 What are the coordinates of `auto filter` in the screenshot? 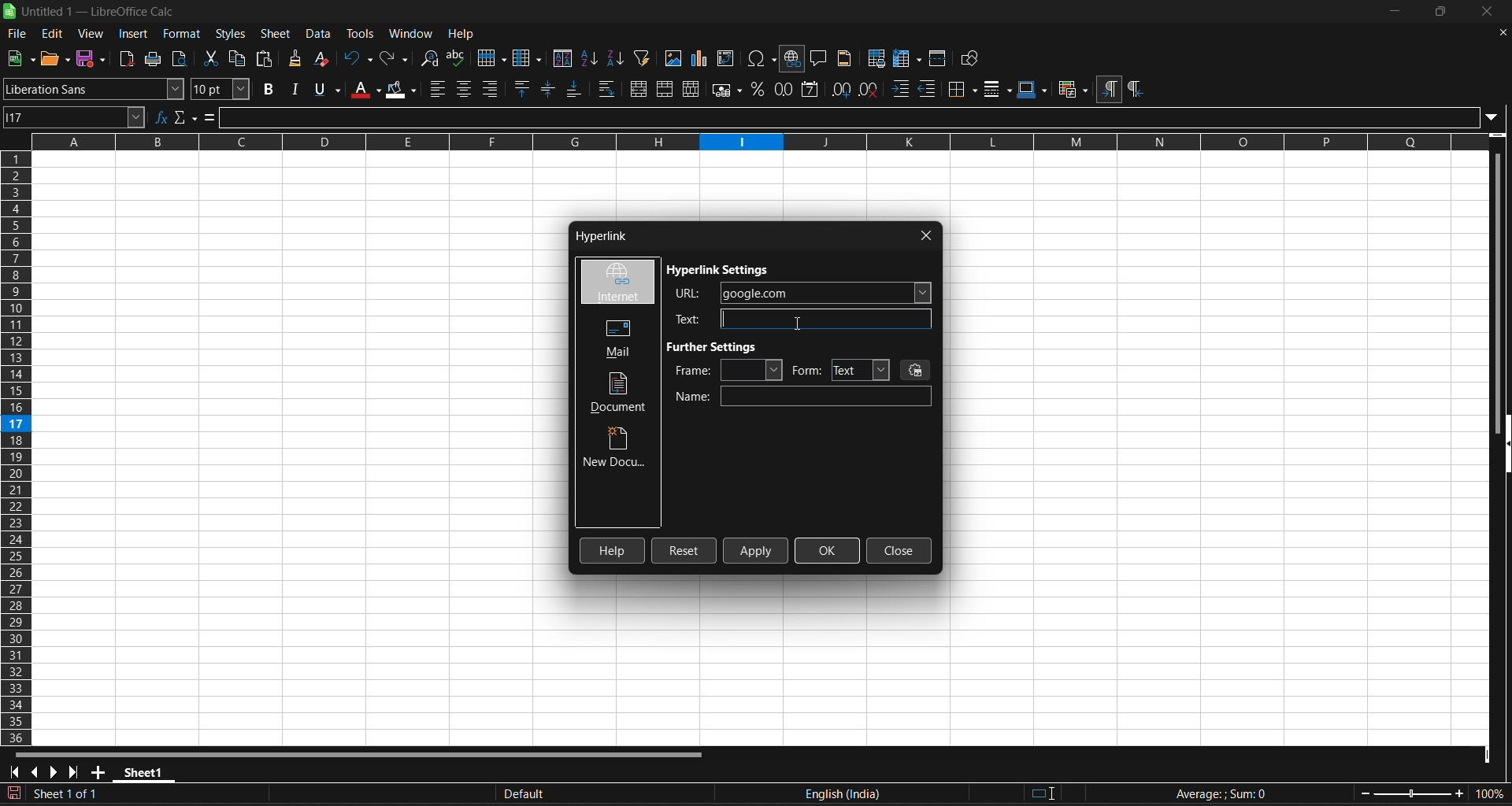 It's located at (643, 57).